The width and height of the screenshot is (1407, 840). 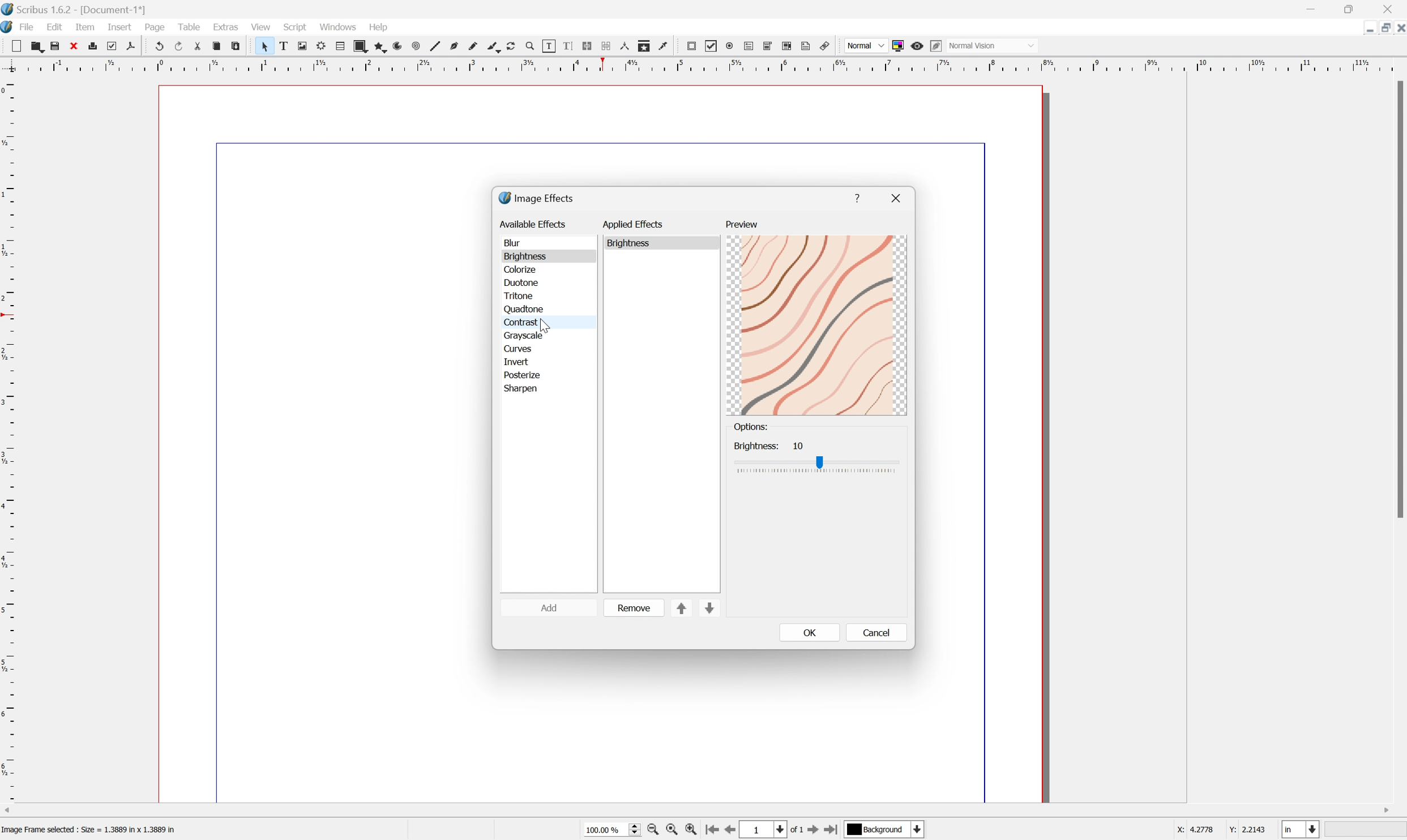 What do you see at coordinates (113, 45) in the screenshot?
I see `Preflight verifier` at bounding box center [113, 45].